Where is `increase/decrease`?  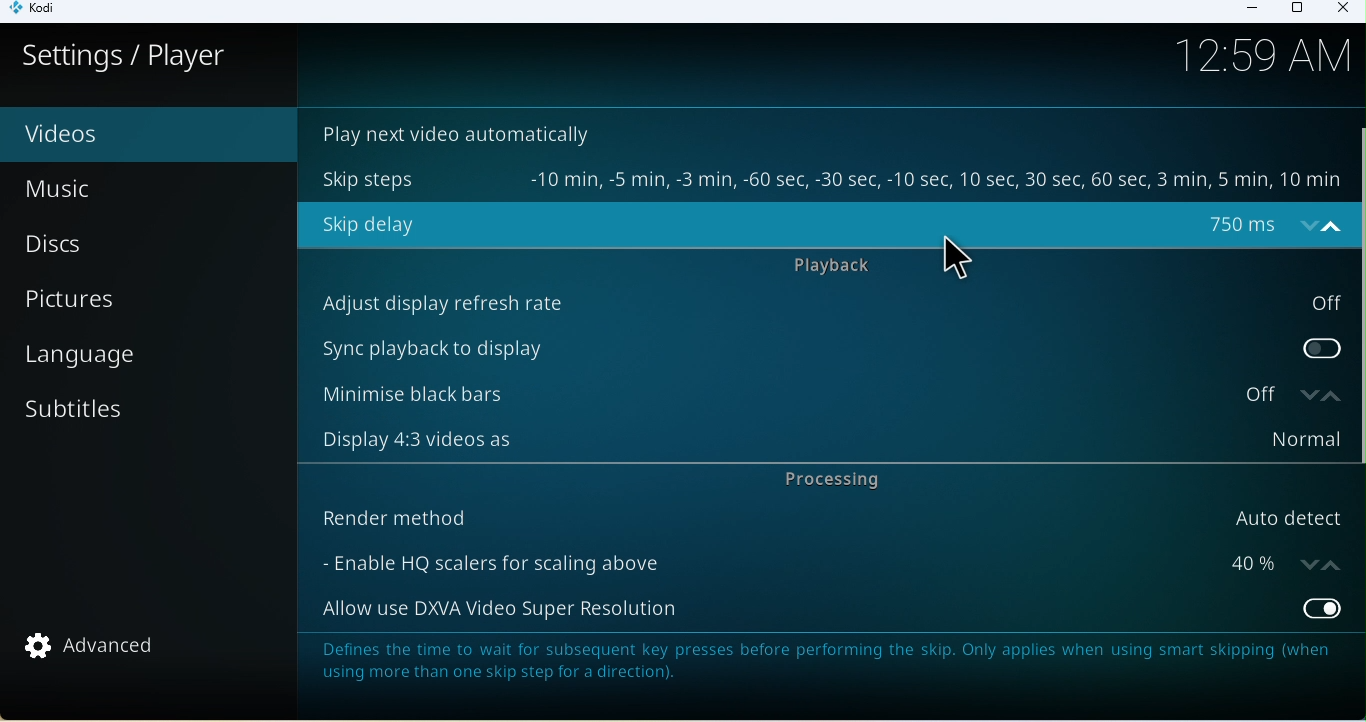 increase/decrease is located at coordinates (1318, 396).